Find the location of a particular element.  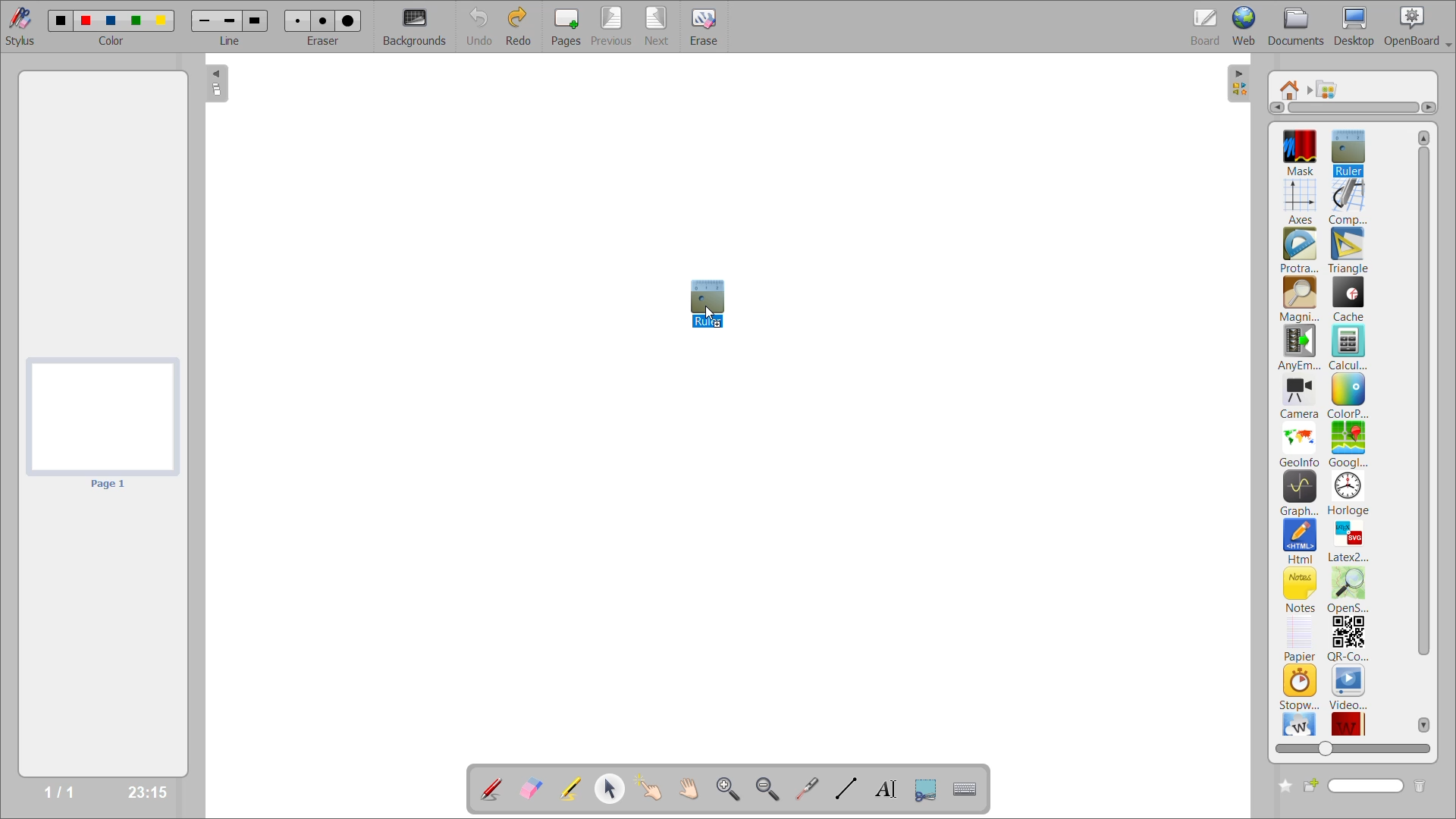

vertical scroll bar is located at coordinates (1424, 431).